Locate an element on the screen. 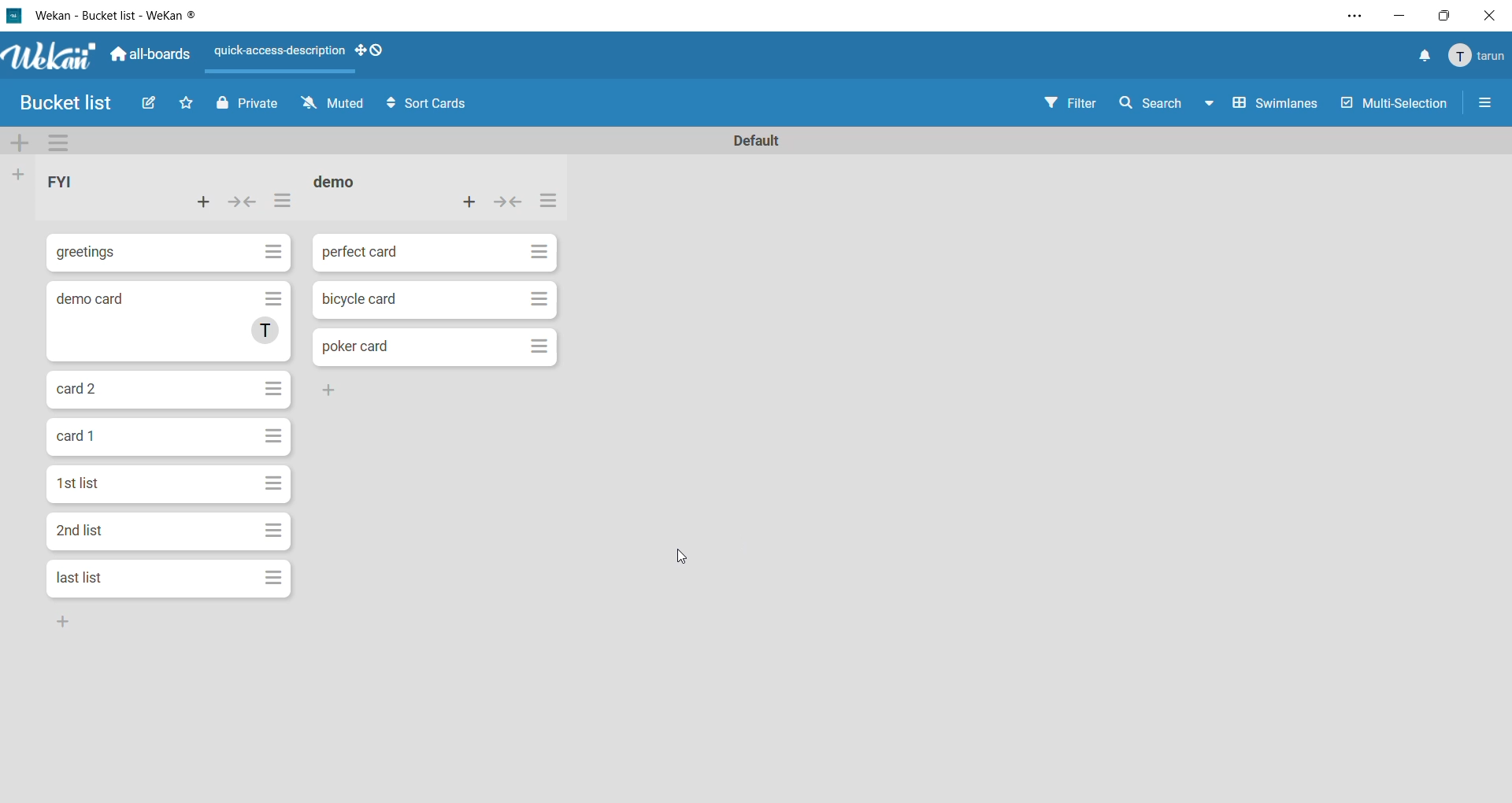 The height and width of the screenshot is (803, 1512). cursor is located at coordinates (684, 561).